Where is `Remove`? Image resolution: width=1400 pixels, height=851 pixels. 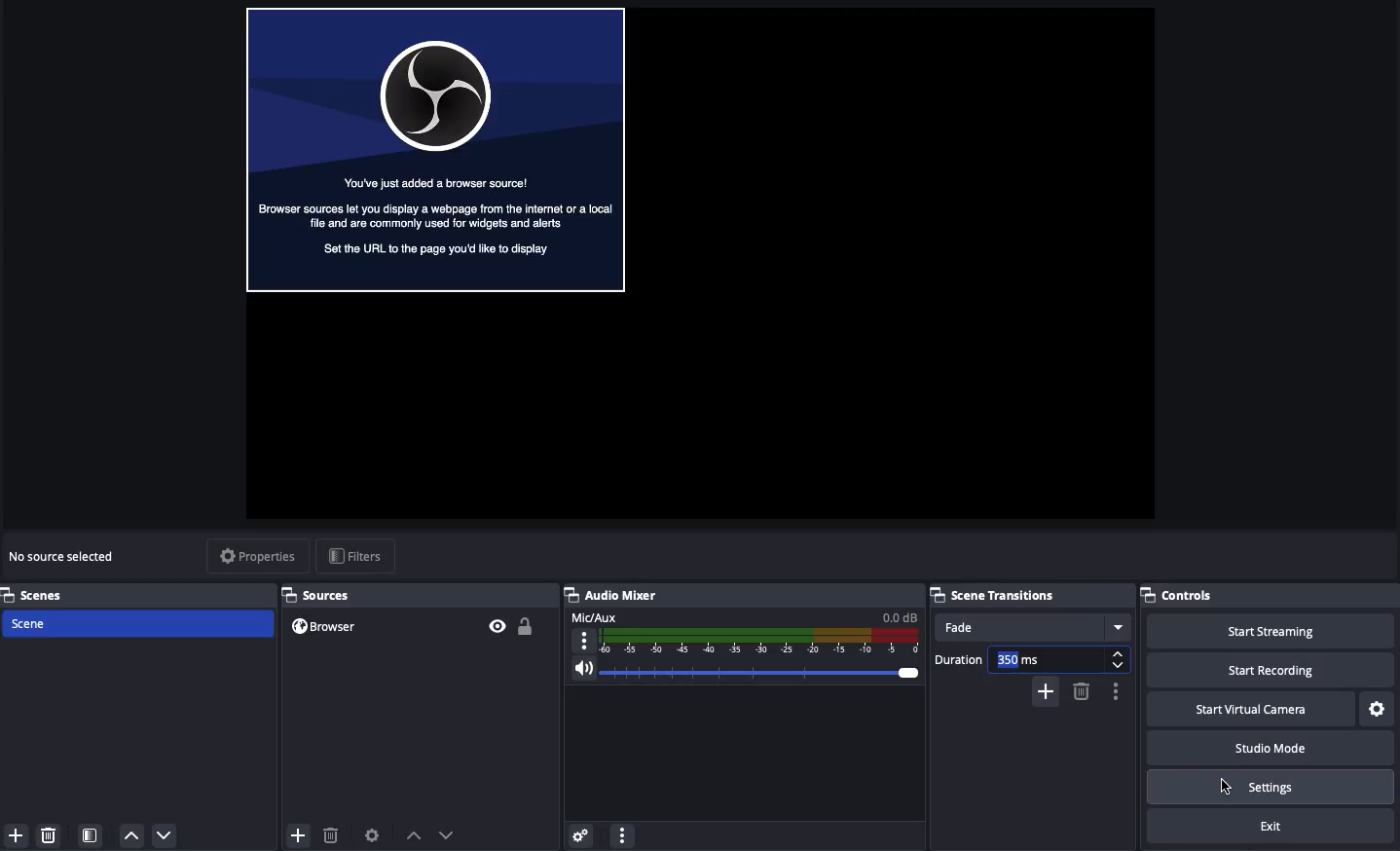 Remove is located at coordinates (1082, 692).